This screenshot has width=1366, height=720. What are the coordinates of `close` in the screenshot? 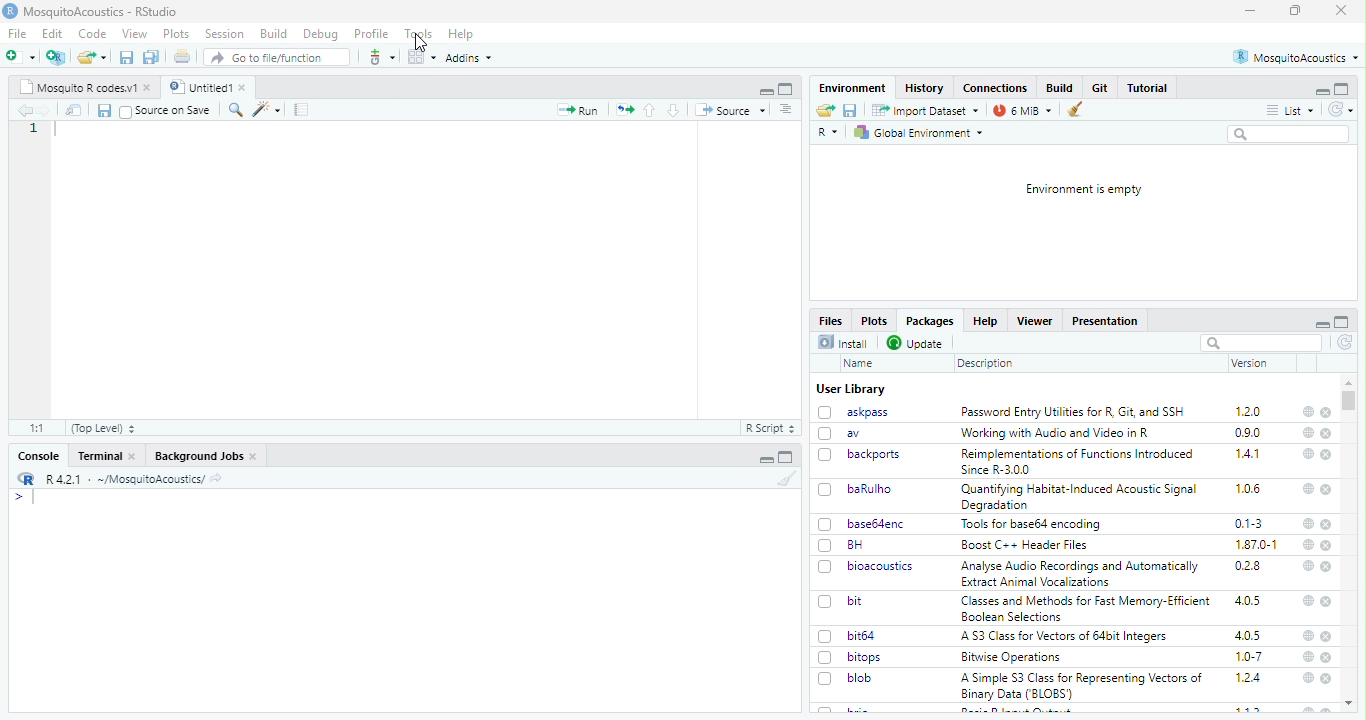 It's located at (1328, 546).